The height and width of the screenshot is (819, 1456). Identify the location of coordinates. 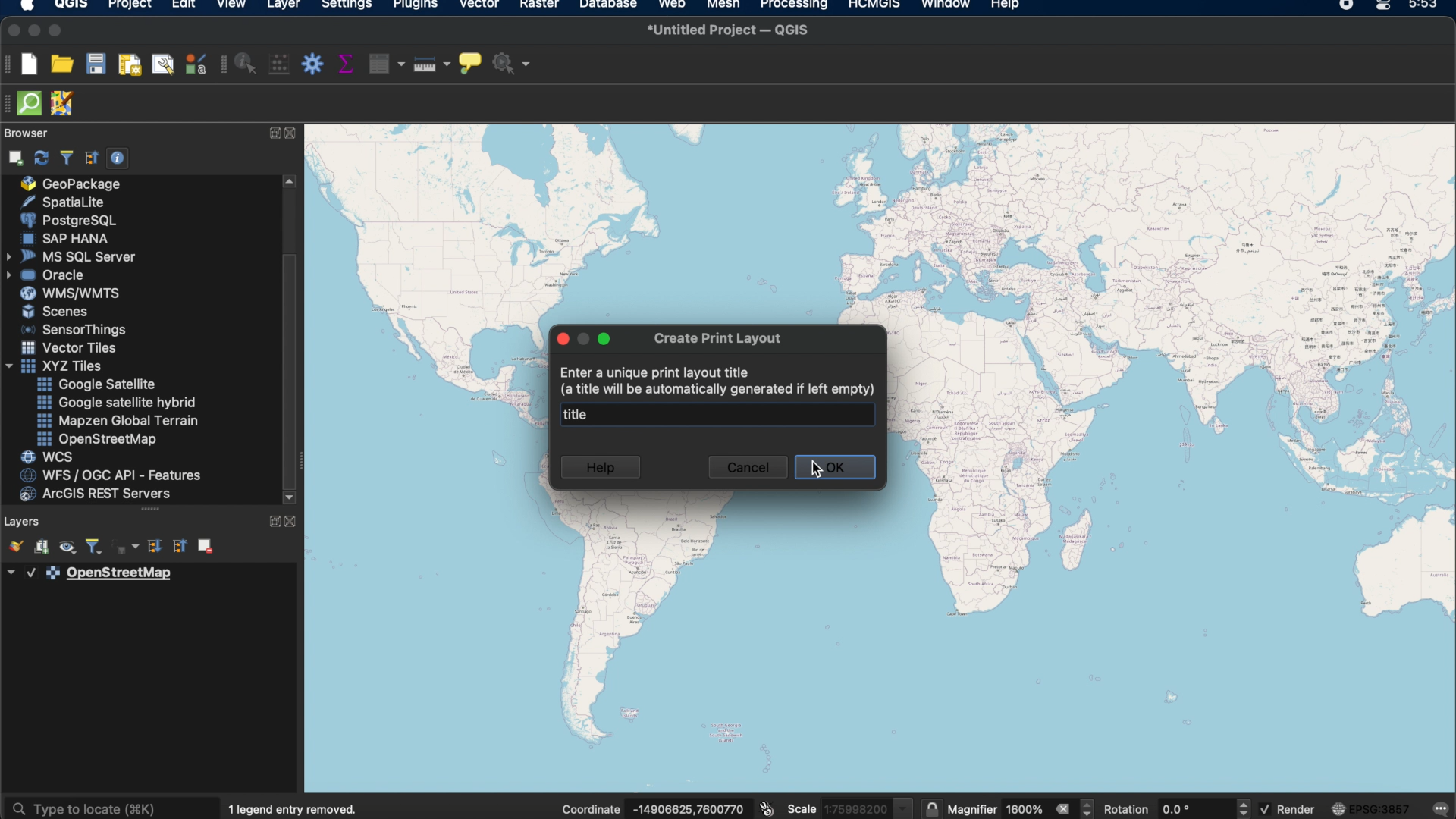
(653, 807).